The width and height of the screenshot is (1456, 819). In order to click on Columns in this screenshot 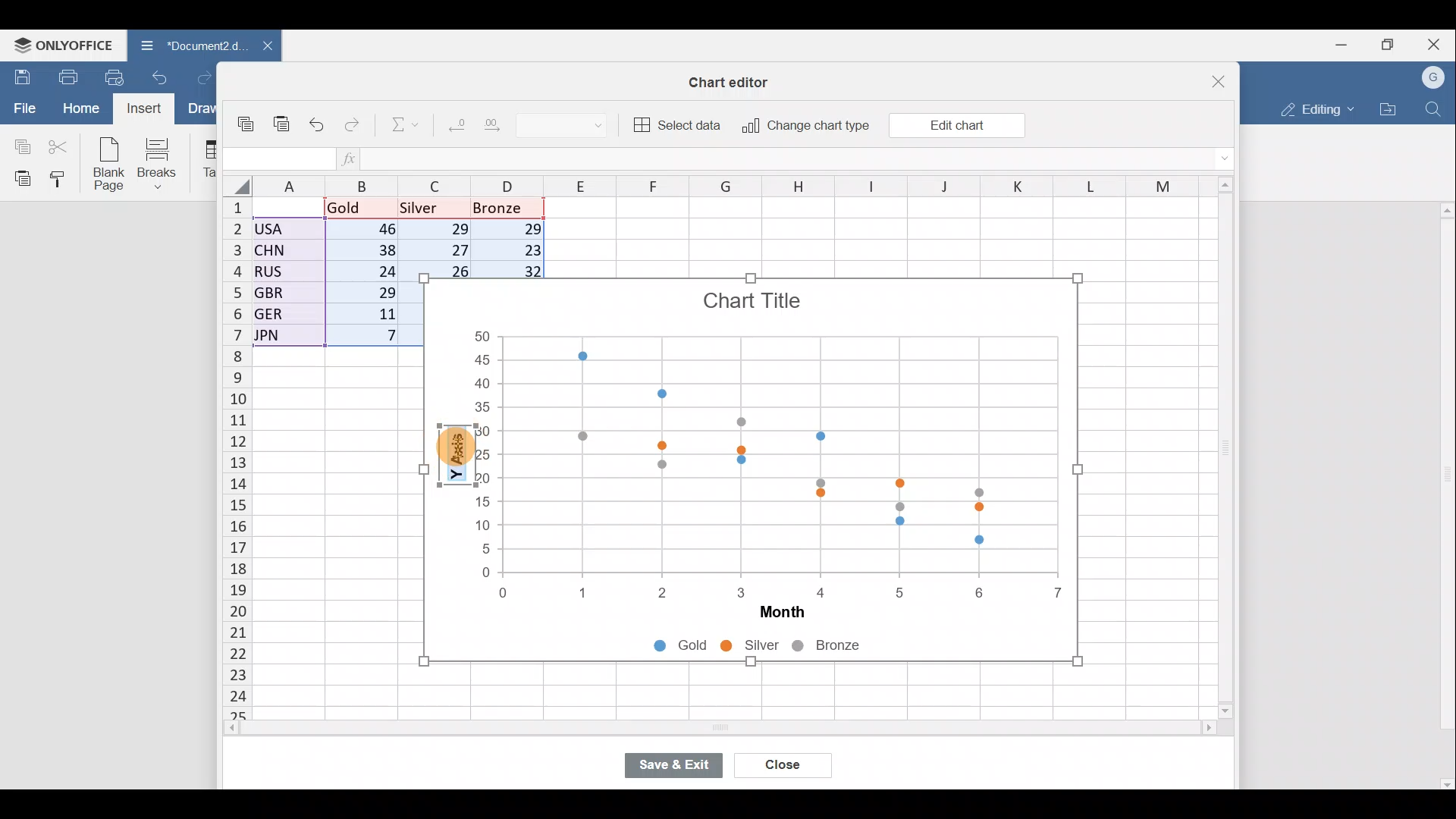, I will do `click(701, 186)`.